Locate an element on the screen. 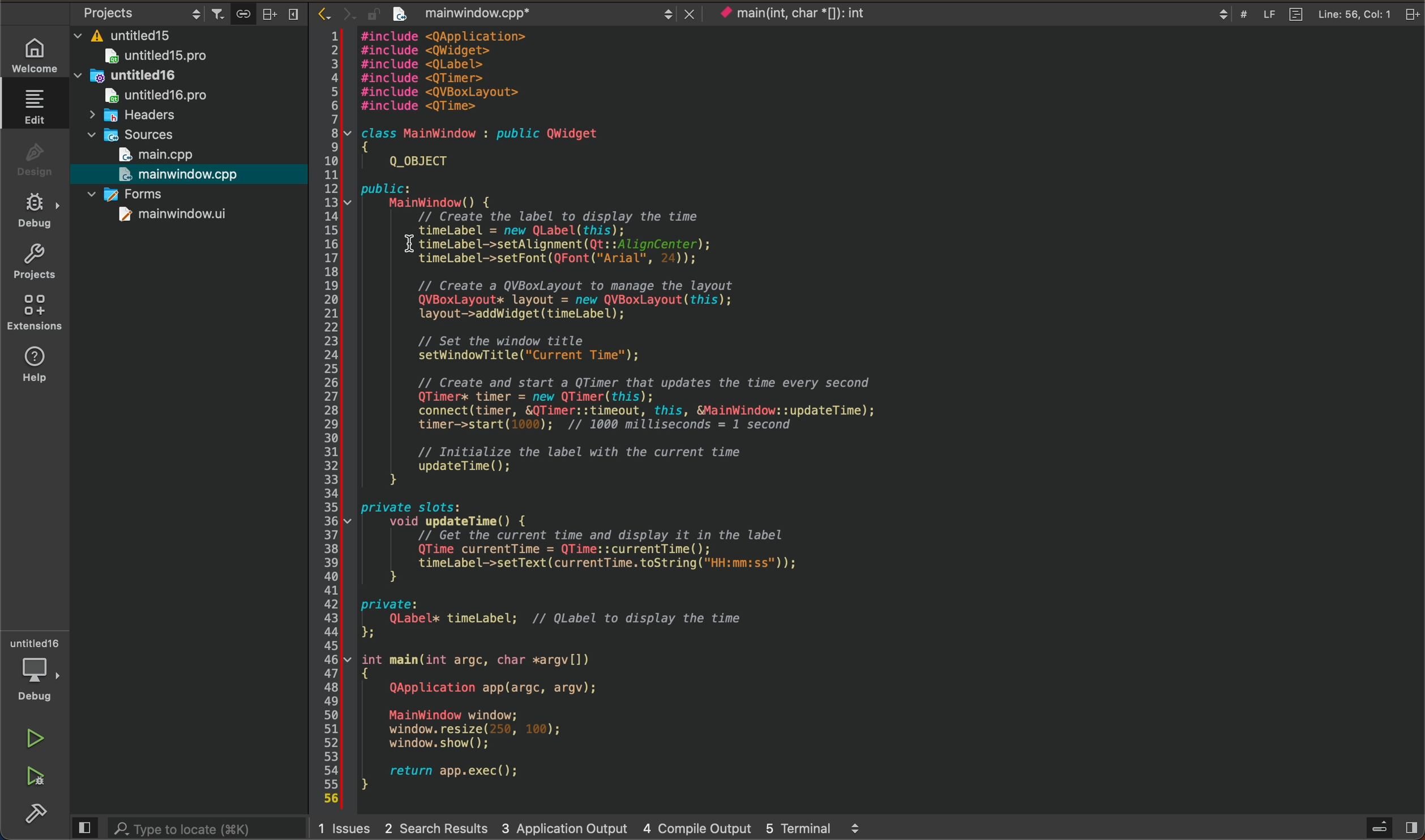 This screenshot has width=1425, height=840. WELCOME is located at coordinates (34, 54).